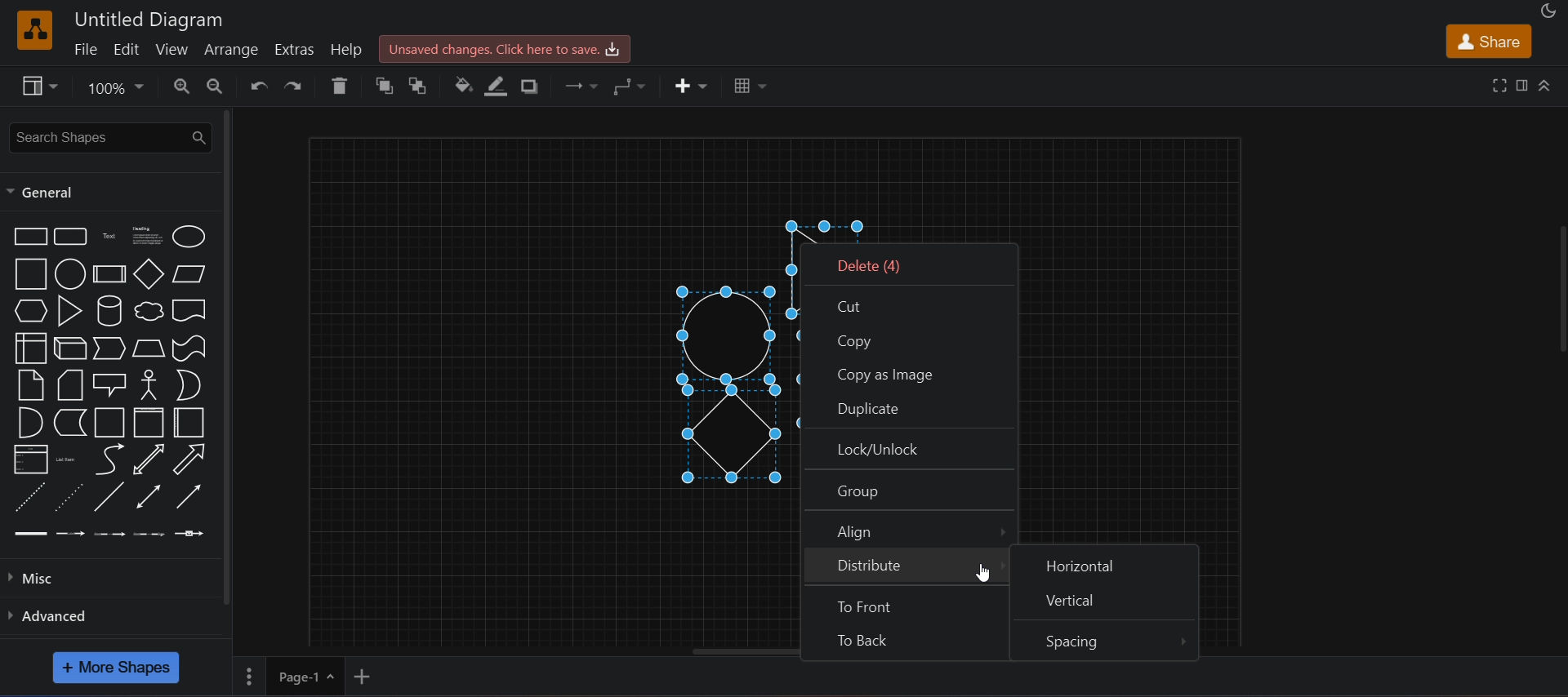  What do you see at coordinates (69, 310) in the screenshot?
I see `triangle` at bounding box center [69, 310].